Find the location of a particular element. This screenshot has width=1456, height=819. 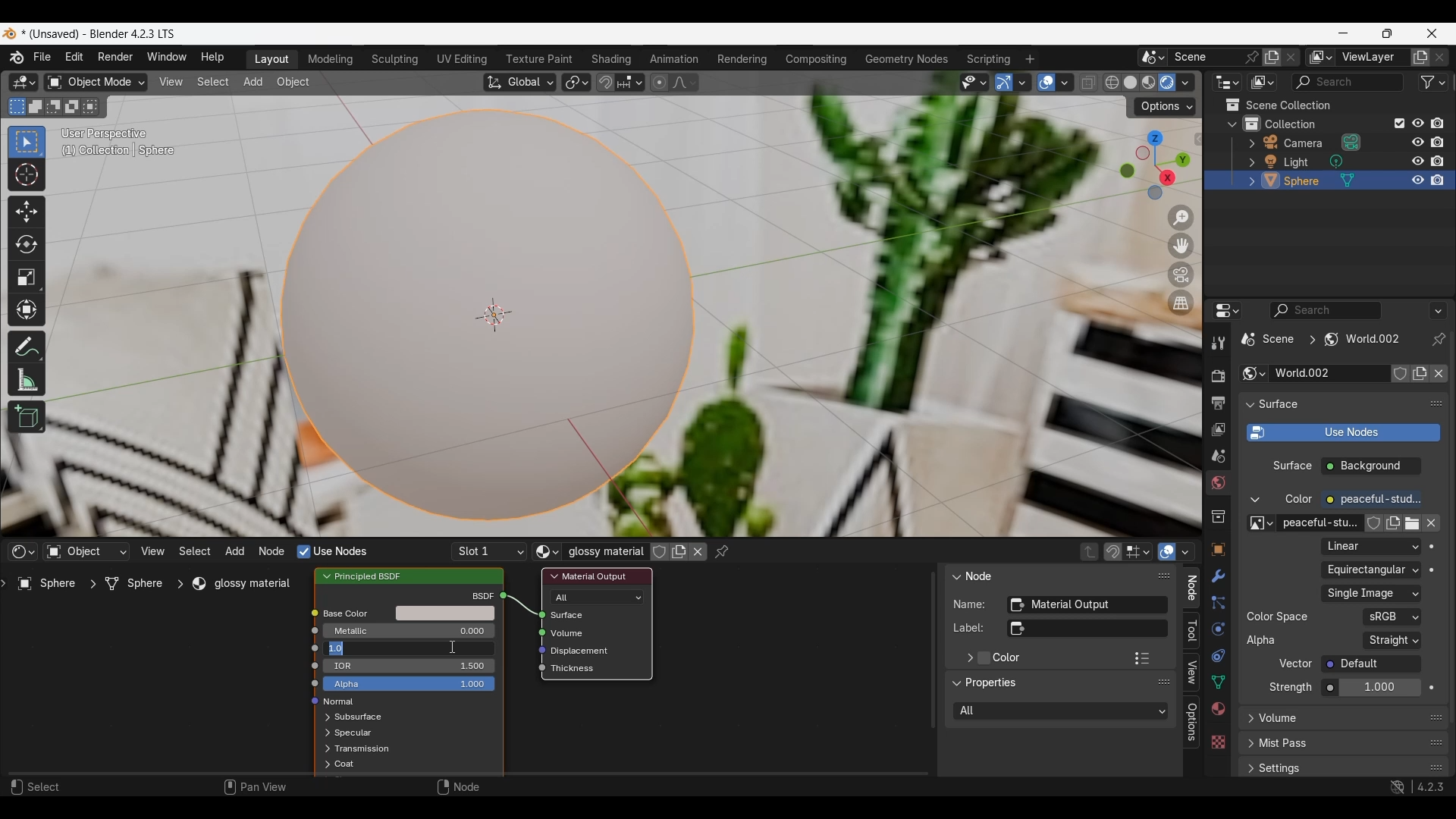

Collapse principled BSDF is located at coordinates (327, 576).